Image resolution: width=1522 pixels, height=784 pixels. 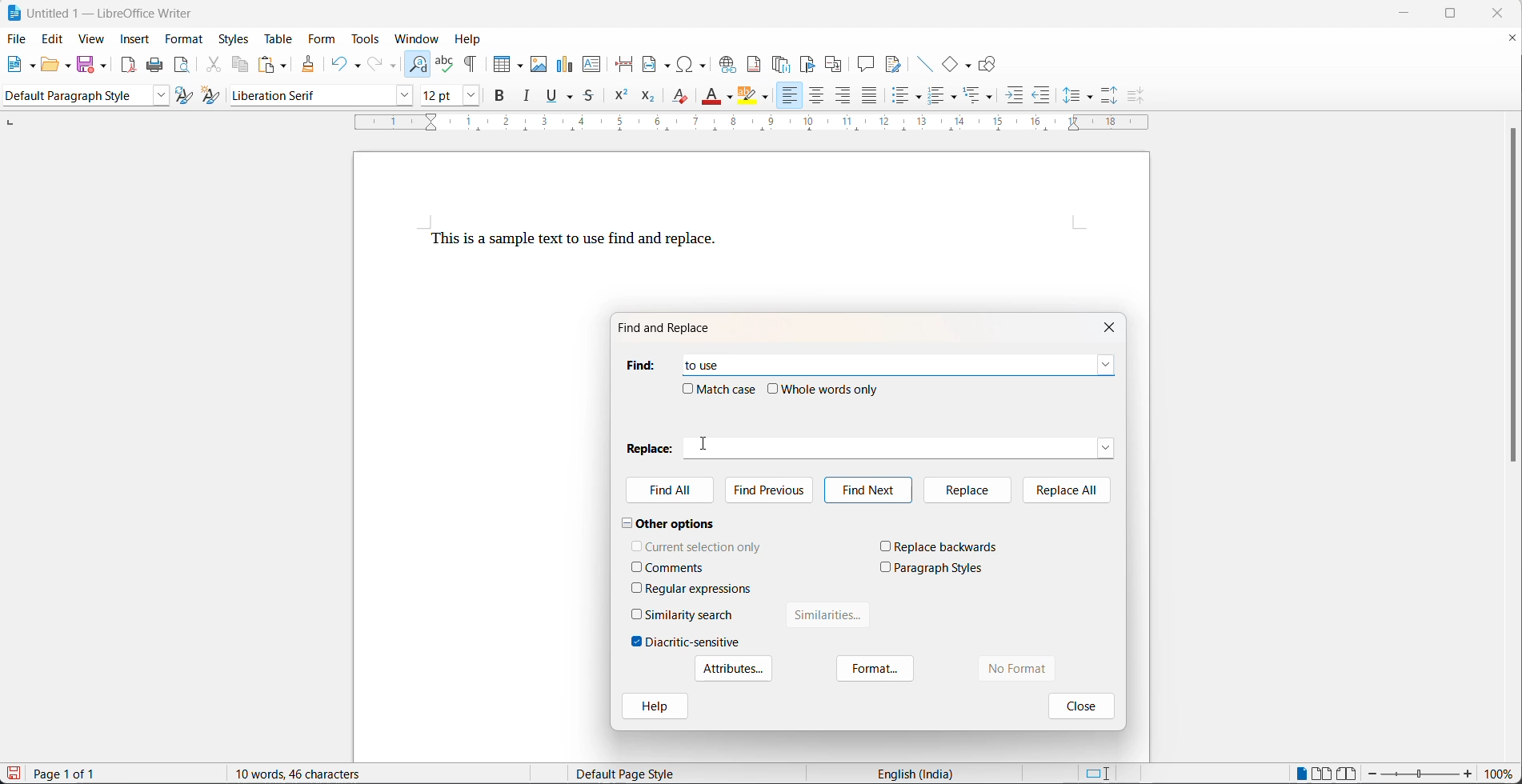 I want to click on insert field, so click(x=658, y=65).